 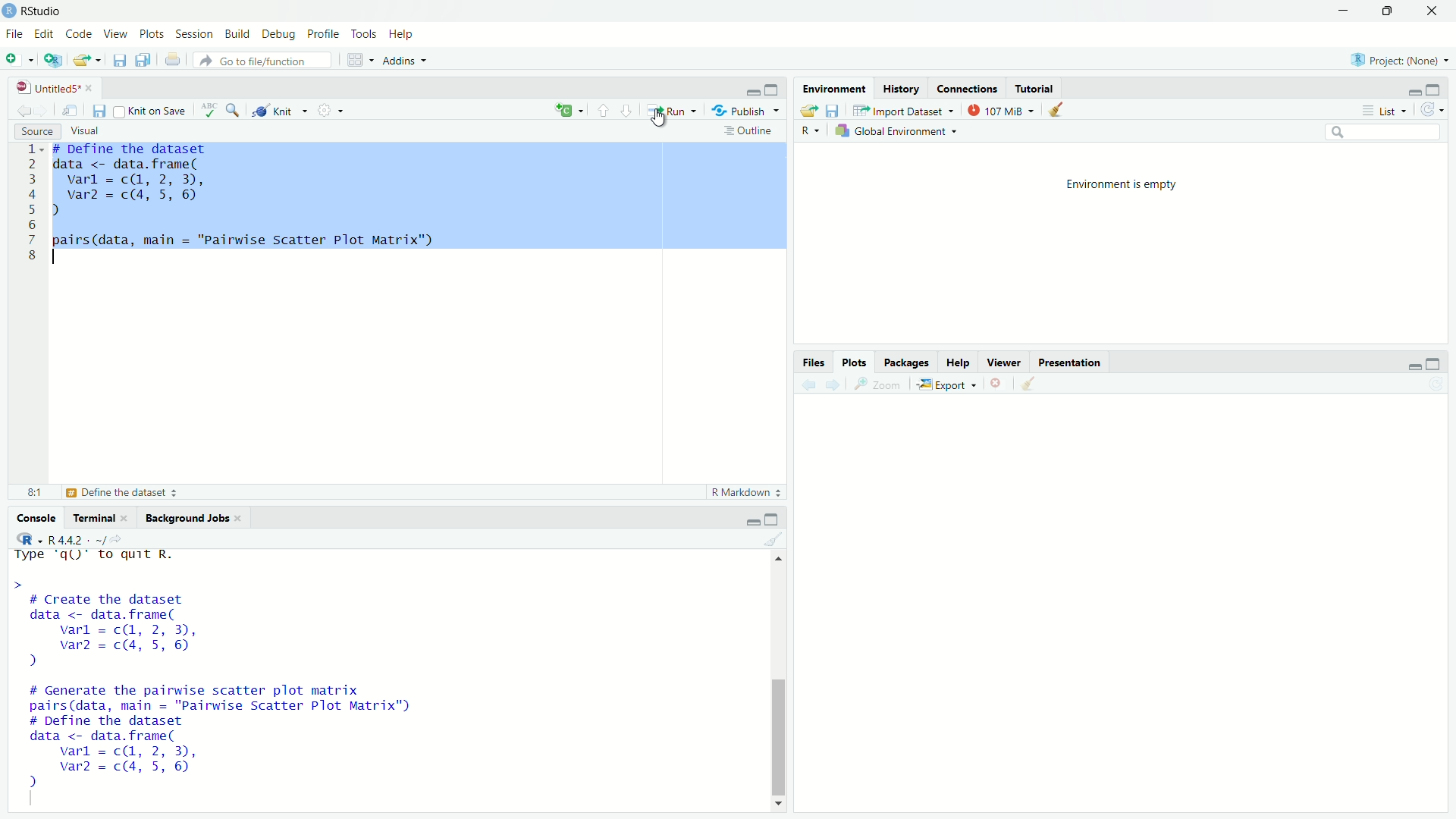 What do you see at coordinates (667, 121) in the screenshot?
I see `cursor` at bounding box center [667, 121].